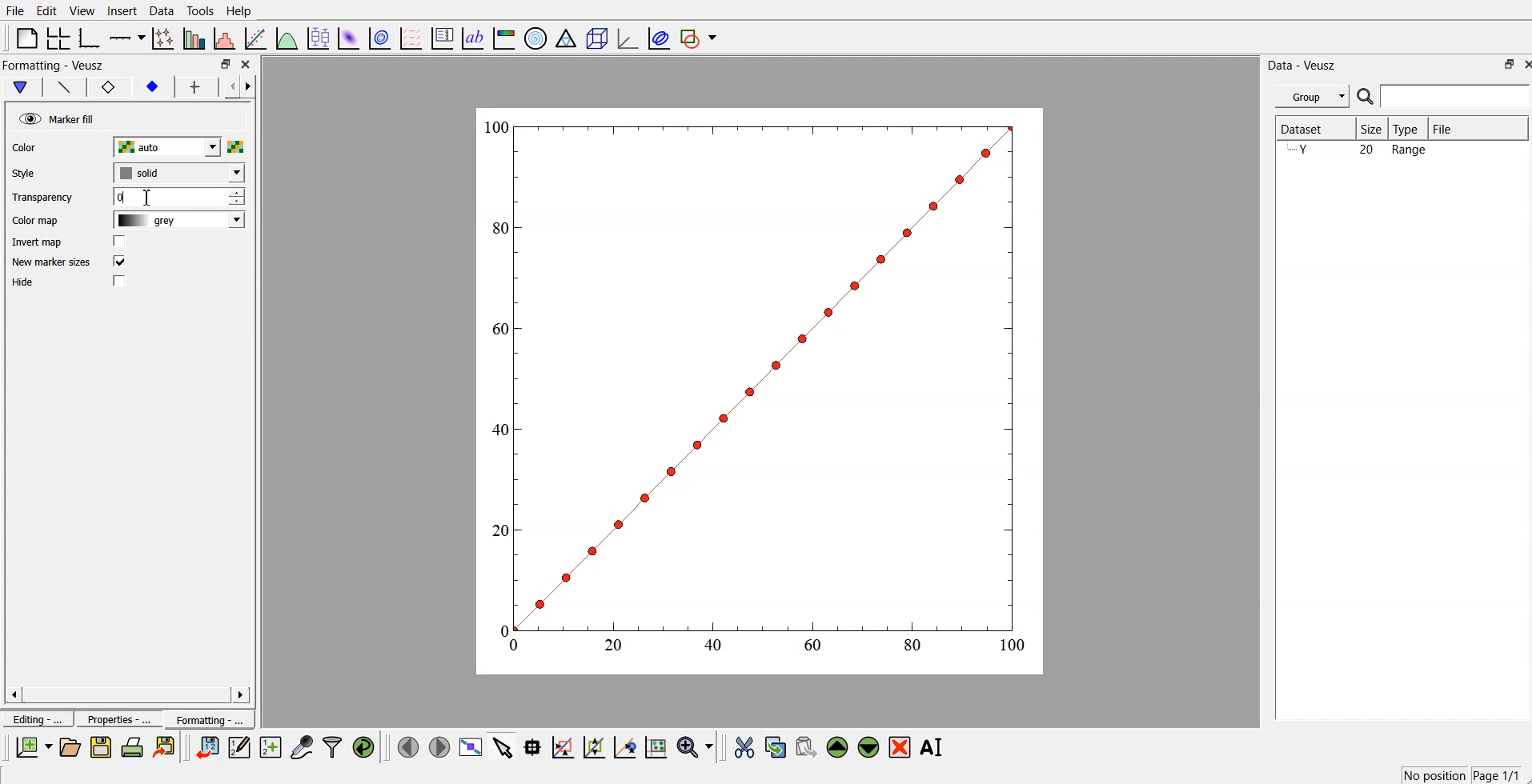 The image size is (1532, 784). I want to click on text label, so click(473, 38).